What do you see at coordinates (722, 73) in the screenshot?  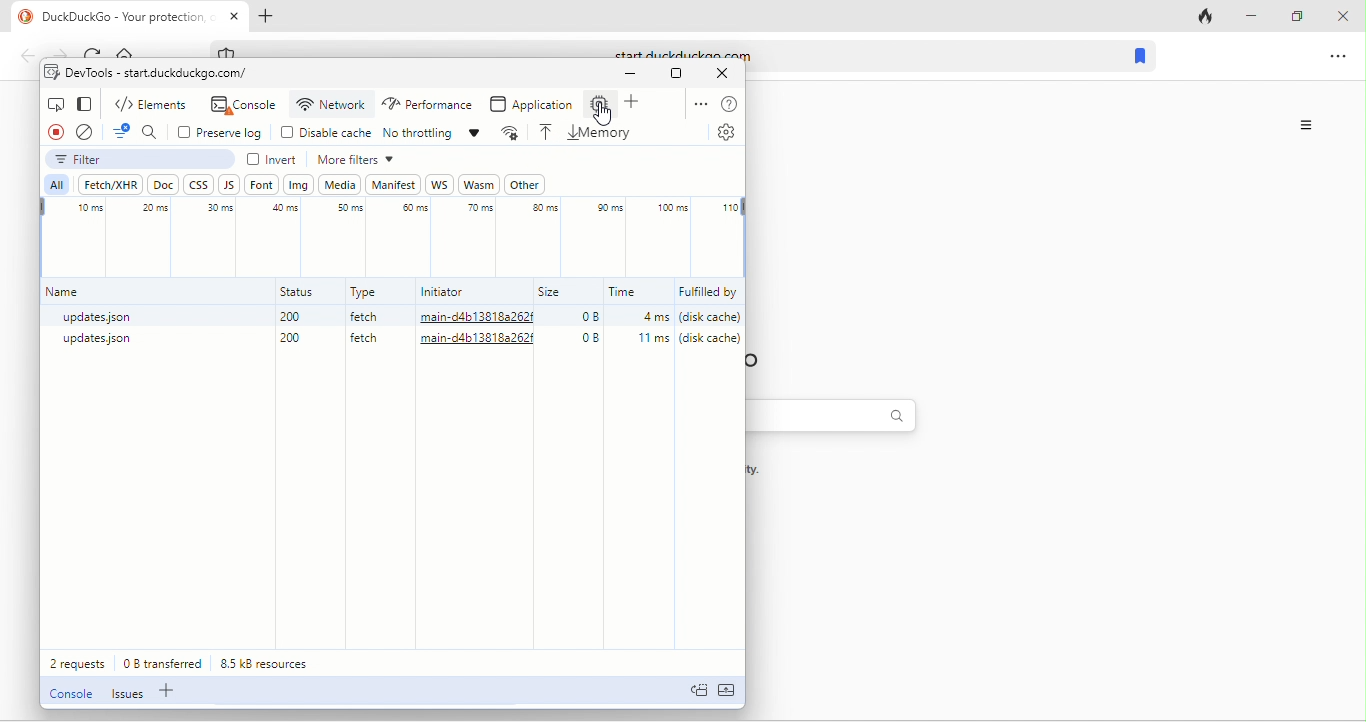 I see `close` at bounding box center [722, 73].